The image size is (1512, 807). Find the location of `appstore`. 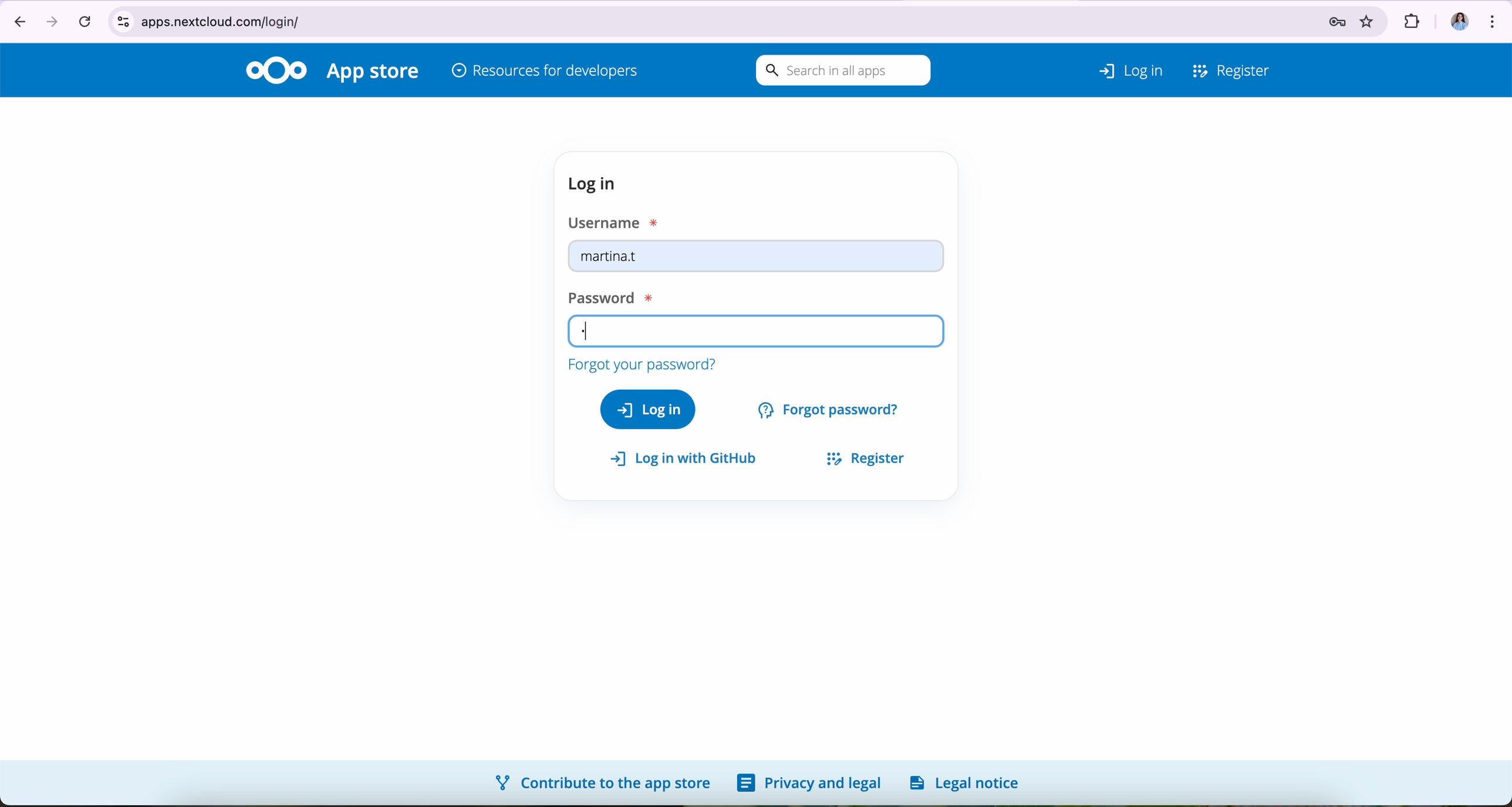

appstore is located at coordinates (375, 73).